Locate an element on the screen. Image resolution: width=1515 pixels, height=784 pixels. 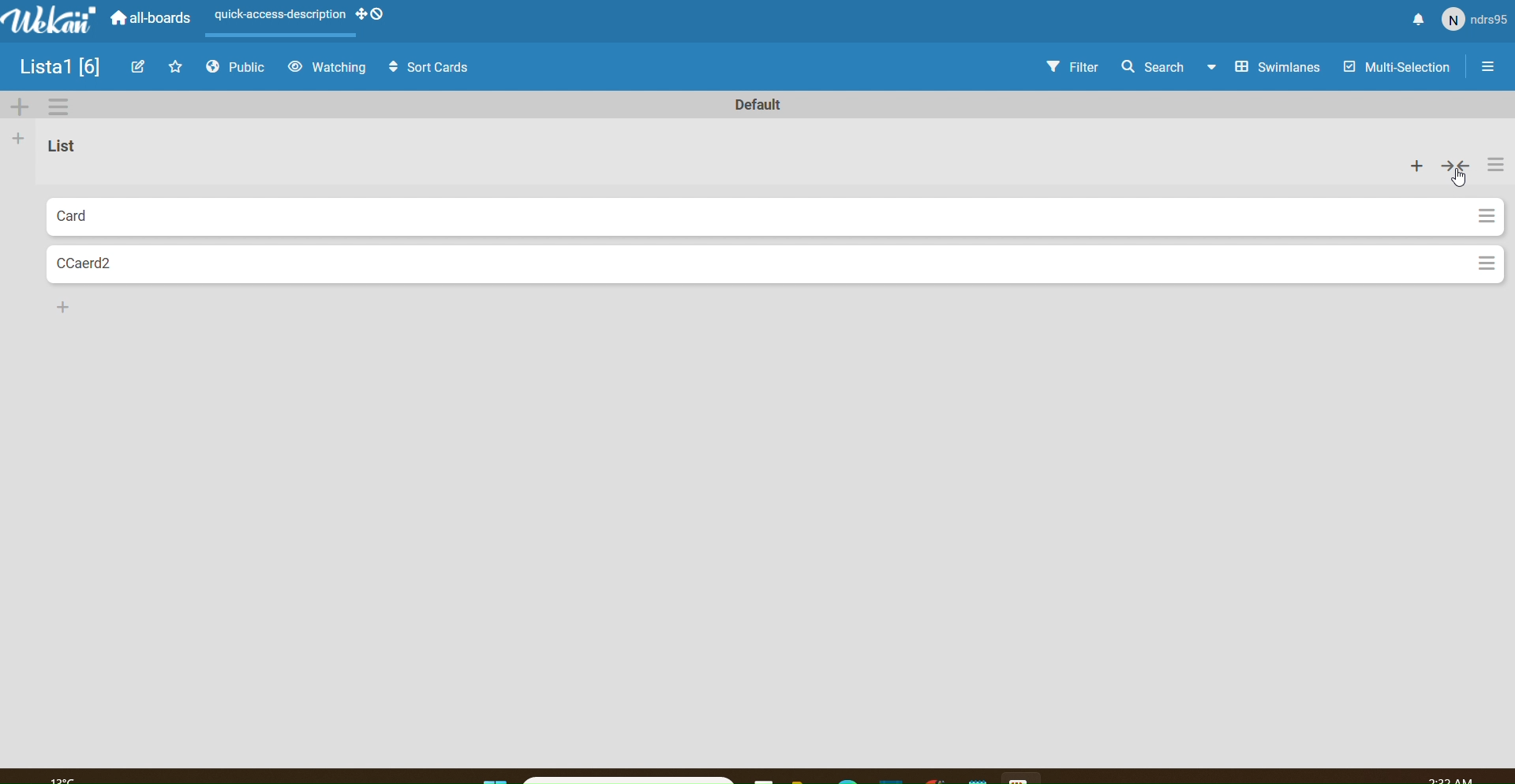
collapse is located at coordinates (1461, 167).